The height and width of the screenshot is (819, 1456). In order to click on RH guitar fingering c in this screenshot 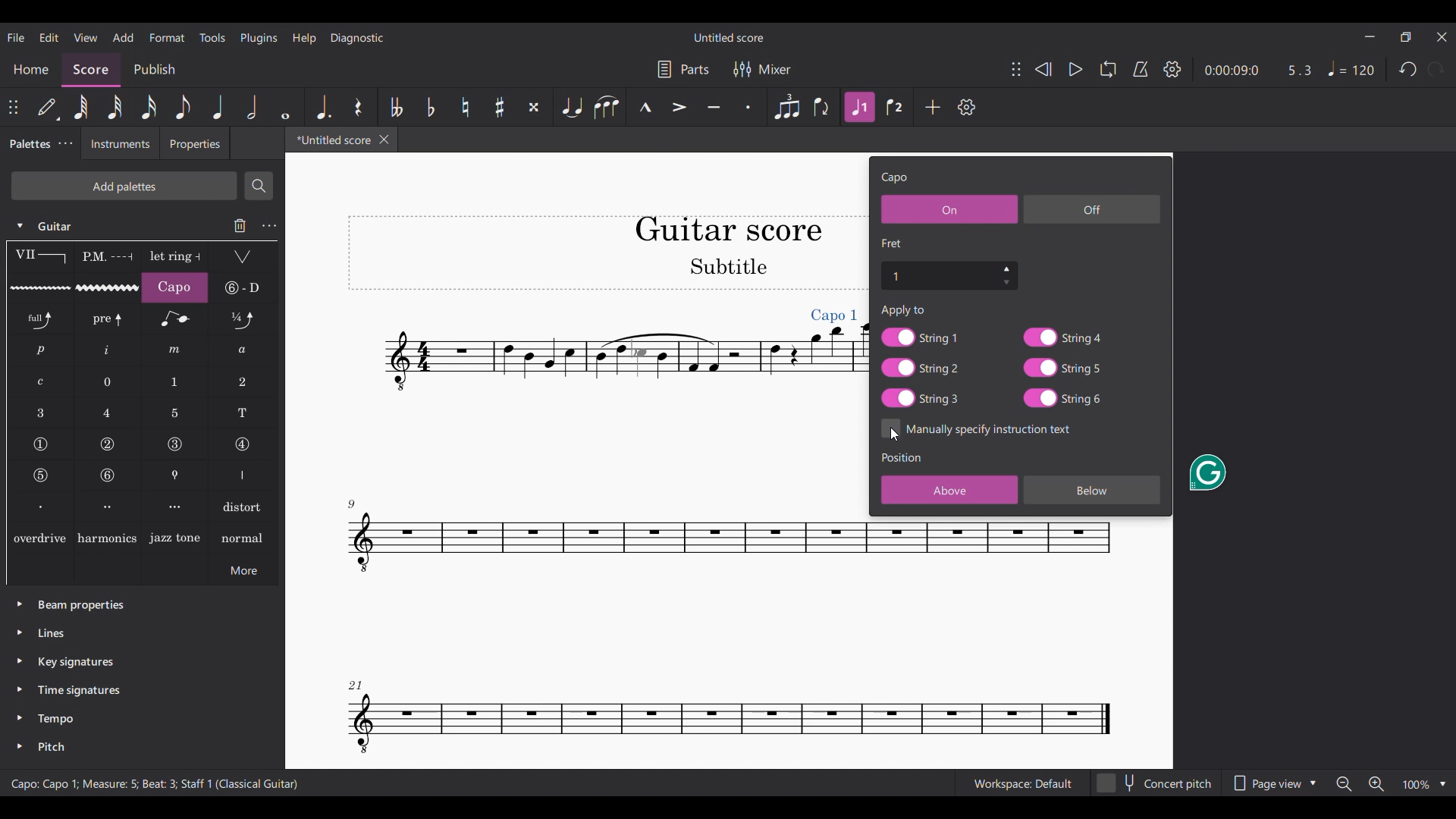, I will do `click(41, 382)`.